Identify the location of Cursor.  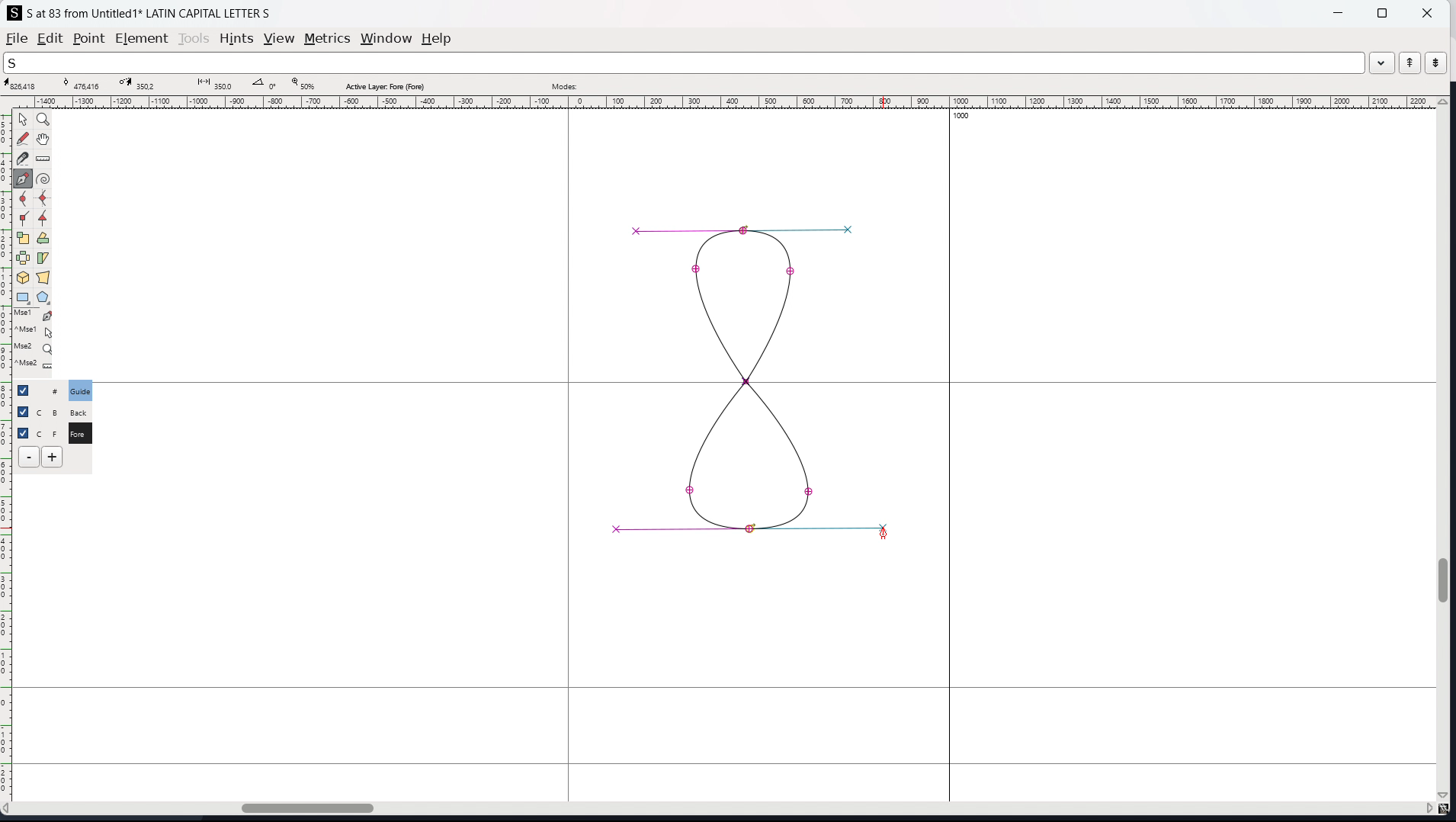
(884, 533).